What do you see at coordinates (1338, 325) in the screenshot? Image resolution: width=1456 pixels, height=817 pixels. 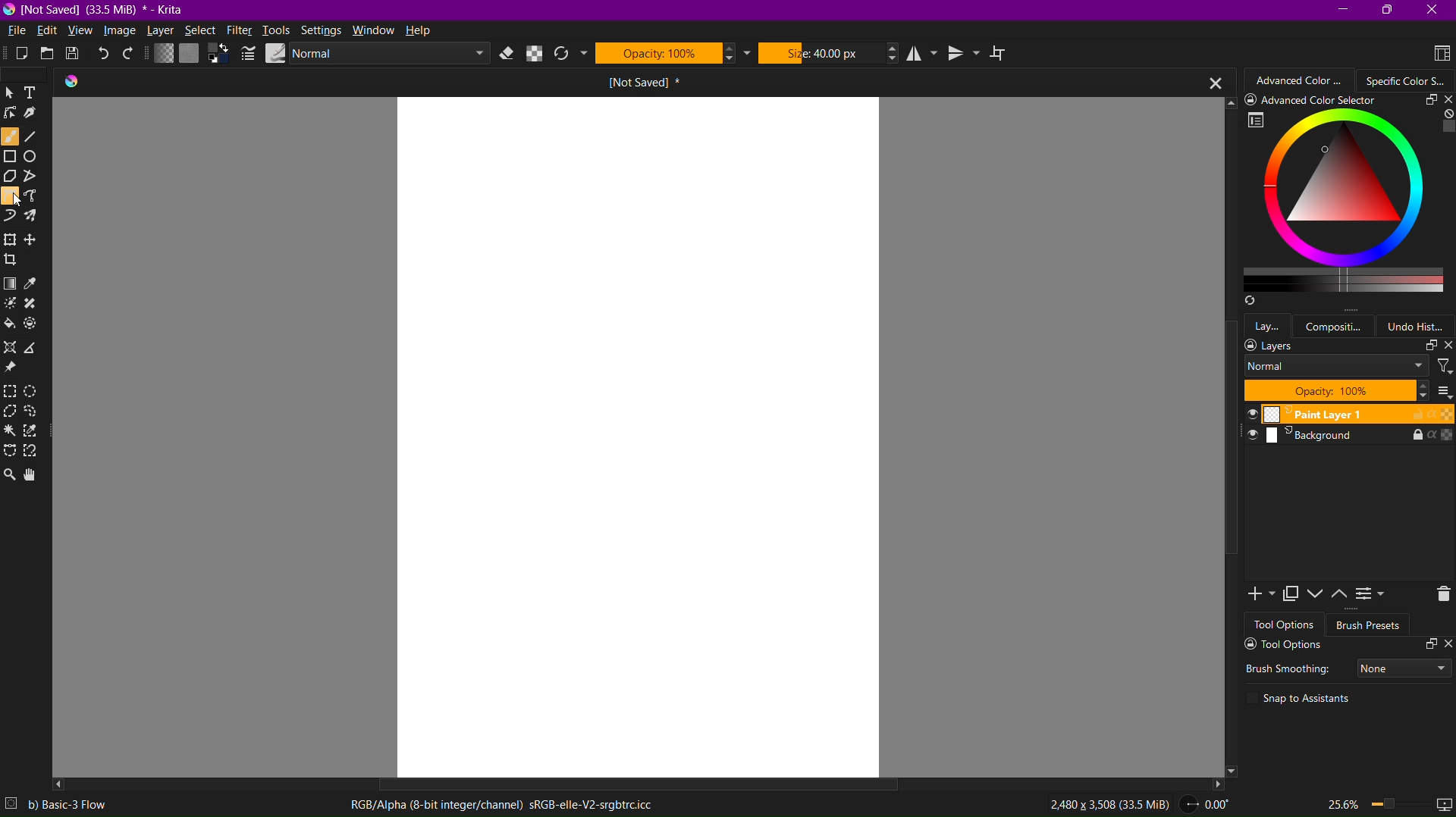 I see `Composition` at bounding box center [1338, 325].